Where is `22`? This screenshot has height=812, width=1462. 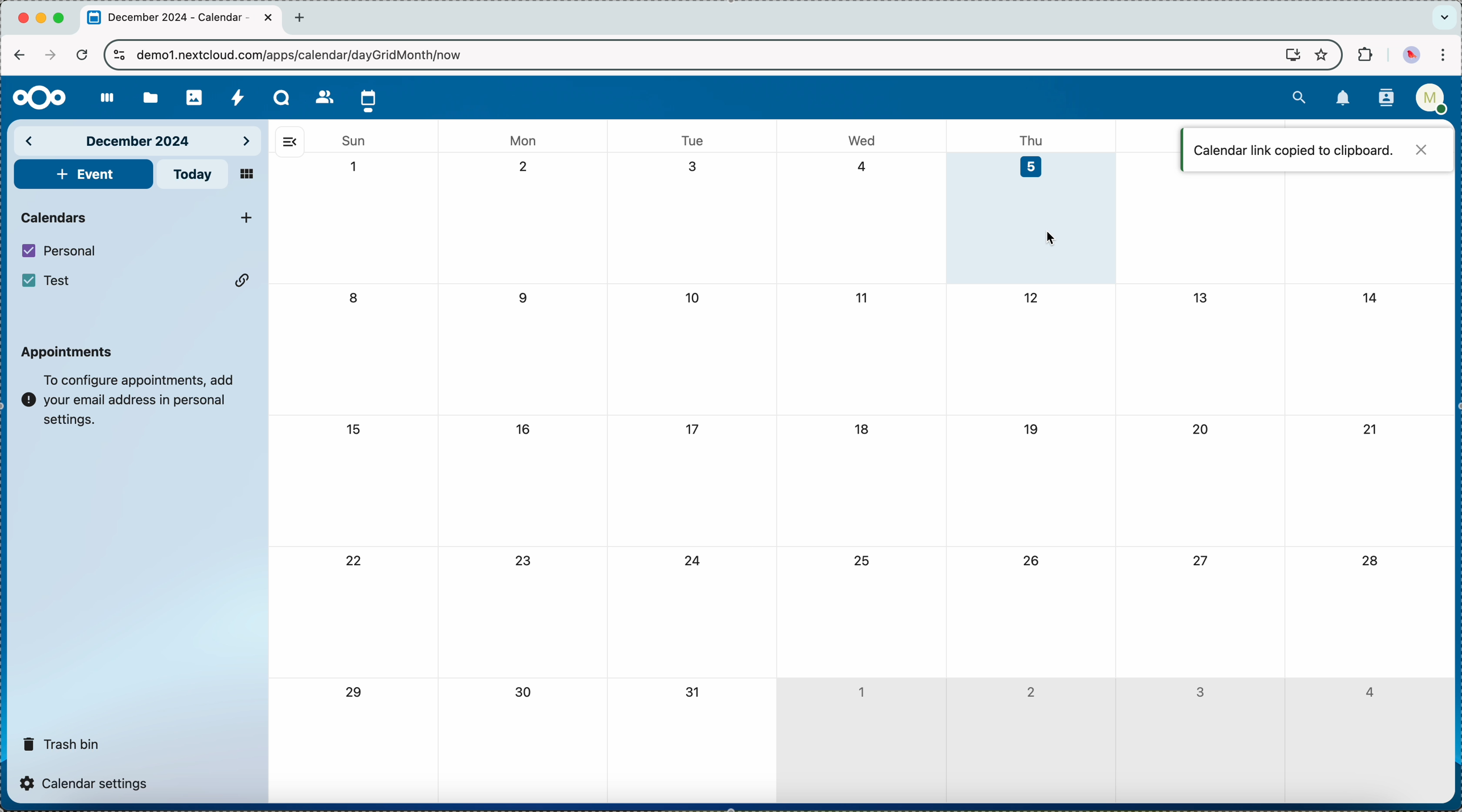
22 is located at coordinates (355, 563).